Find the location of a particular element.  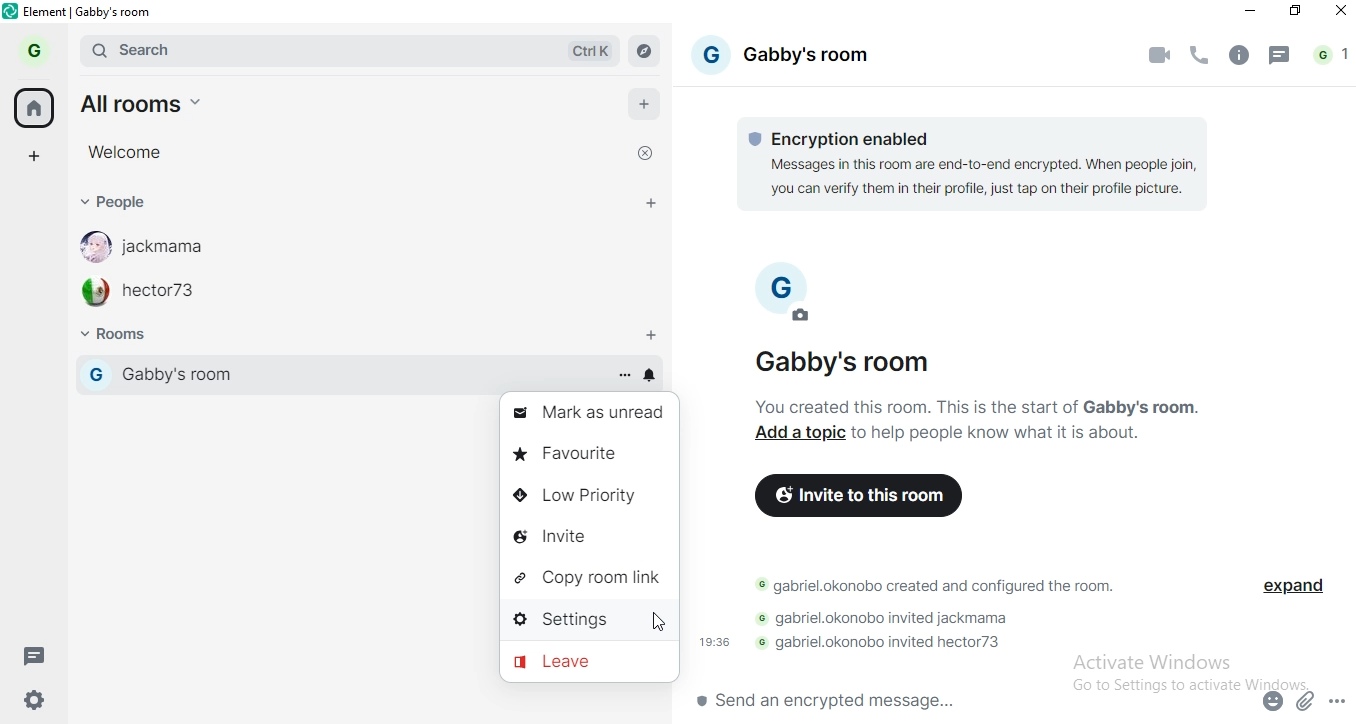

gabby room is located at coordinates (329, 373).